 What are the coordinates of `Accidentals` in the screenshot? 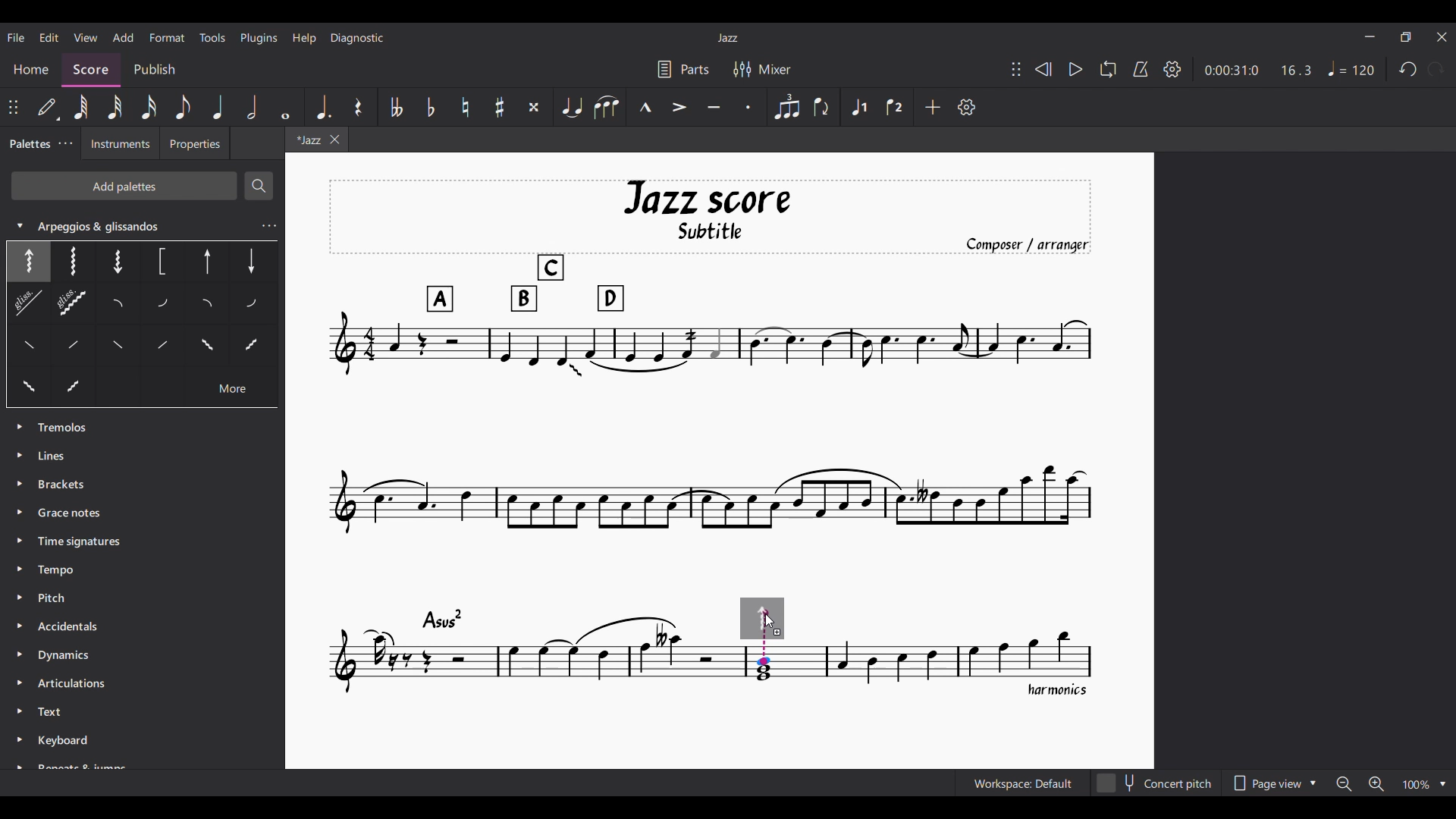 It's located at (67, 629).